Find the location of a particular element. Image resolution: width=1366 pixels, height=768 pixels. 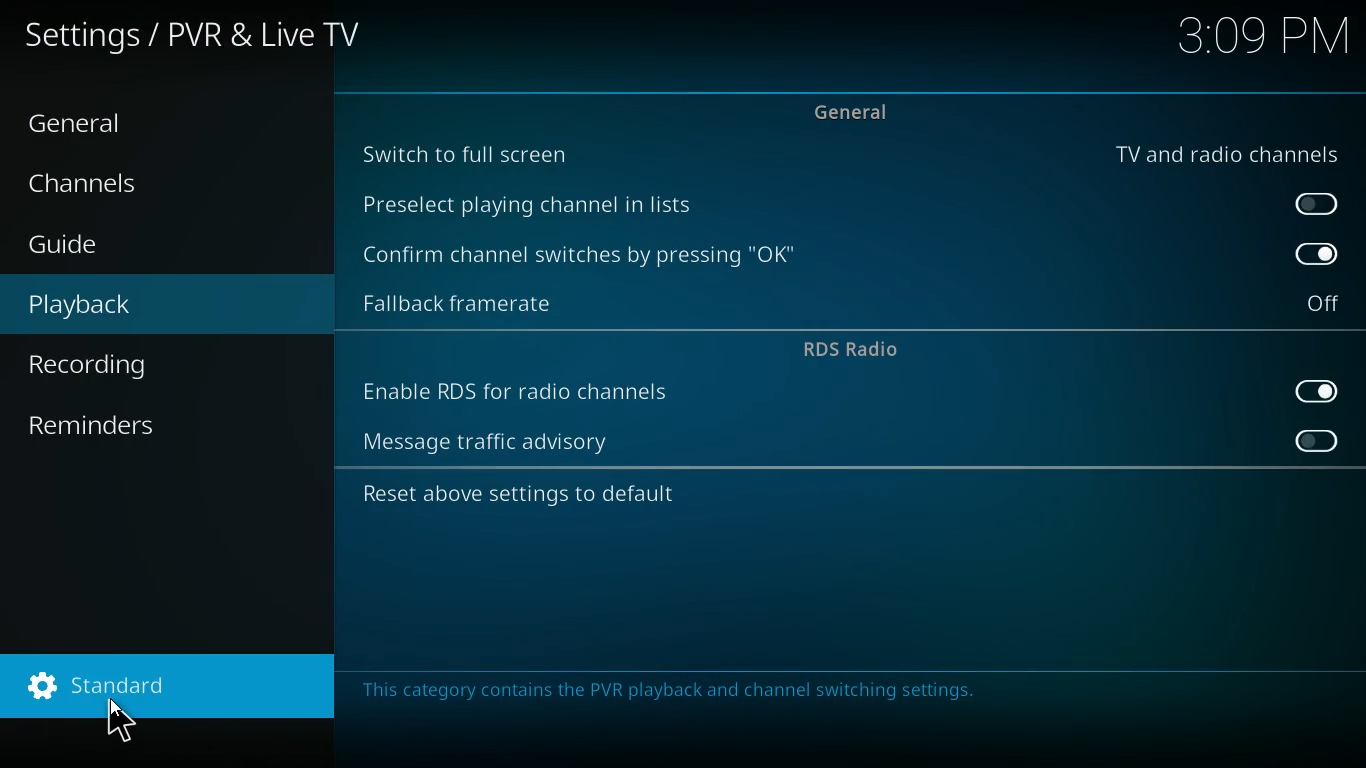

message is located at coordinates (684, 691).